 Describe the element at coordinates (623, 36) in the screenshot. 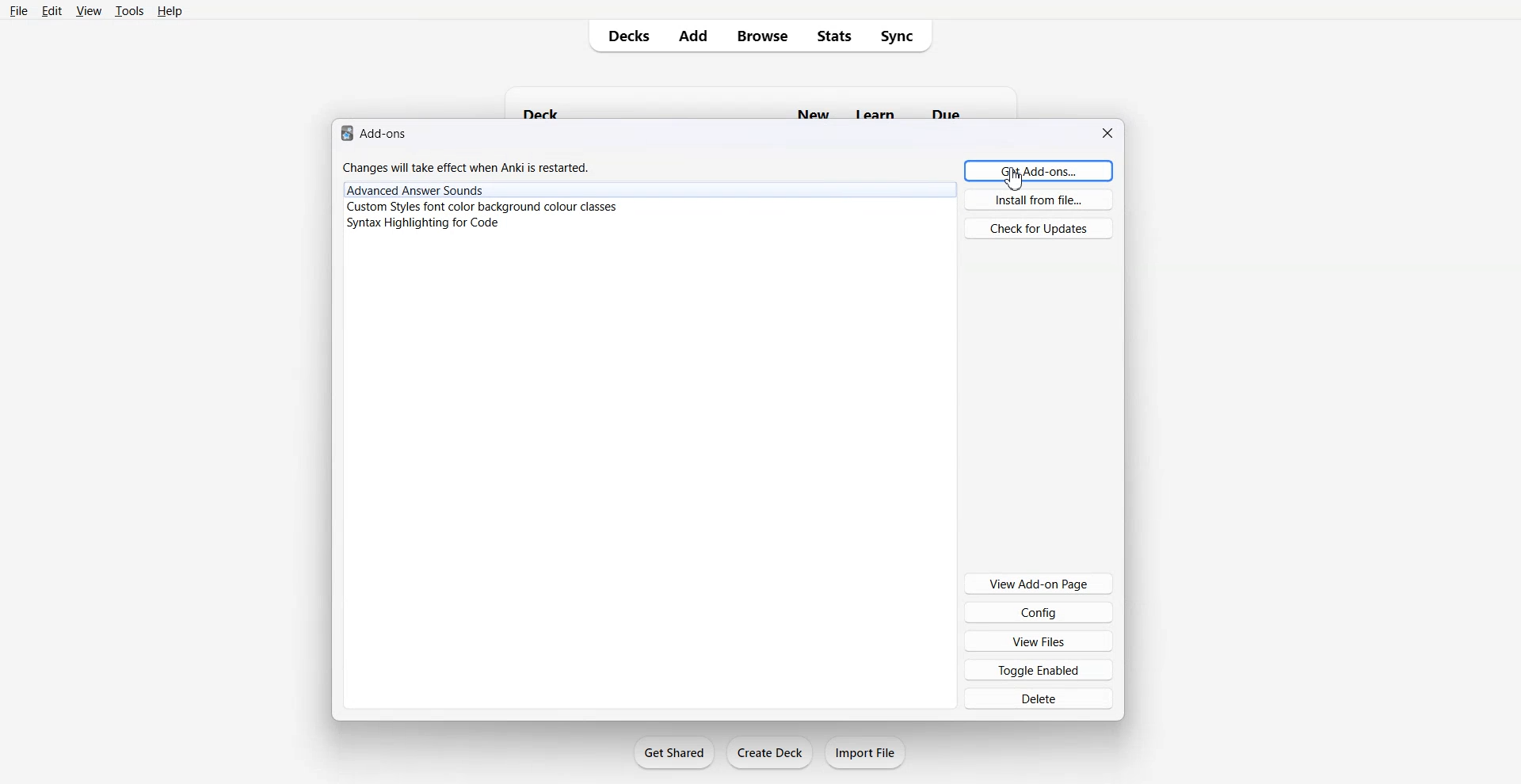

I see `Decks` at that location.